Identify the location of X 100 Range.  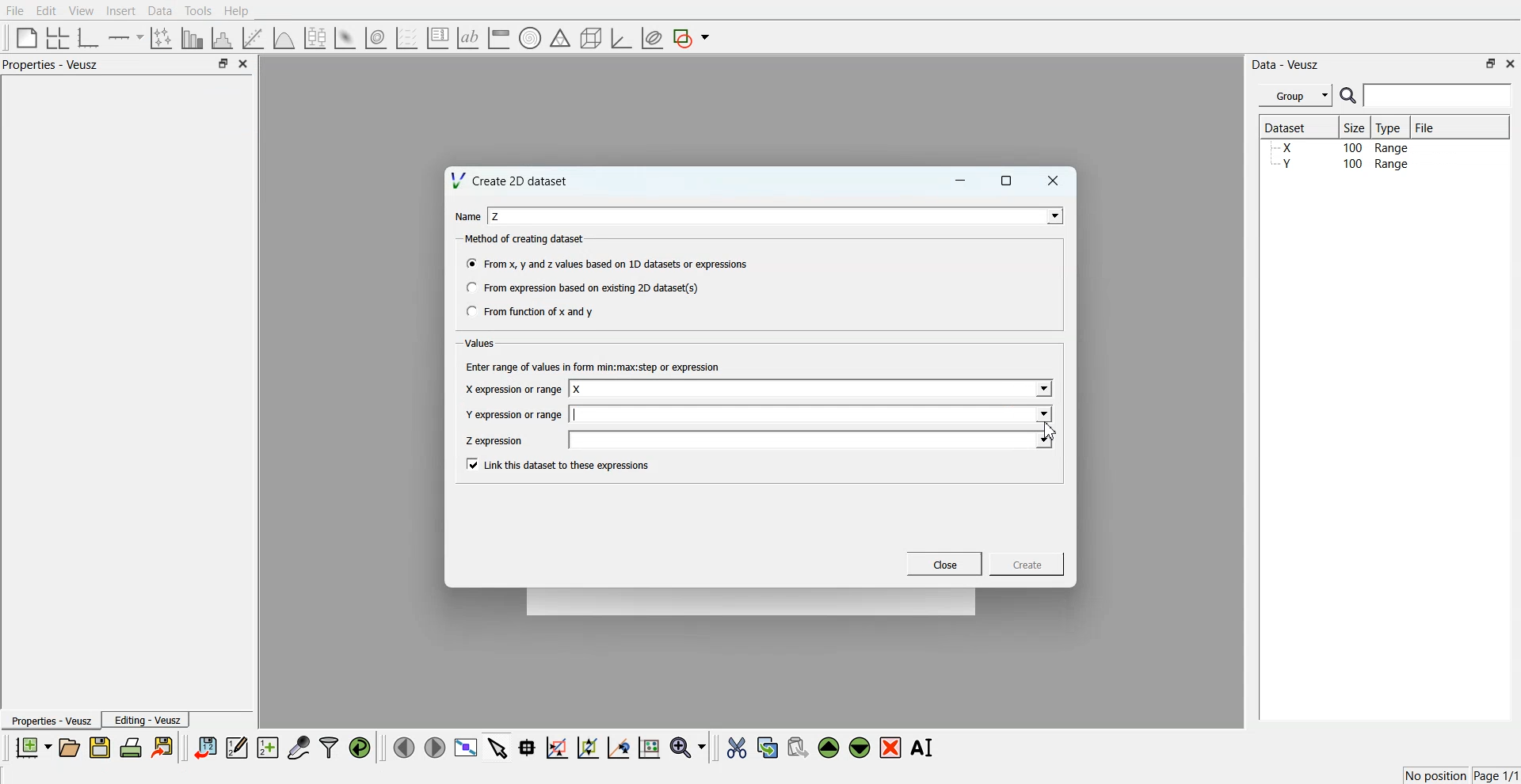
(1341, 147).